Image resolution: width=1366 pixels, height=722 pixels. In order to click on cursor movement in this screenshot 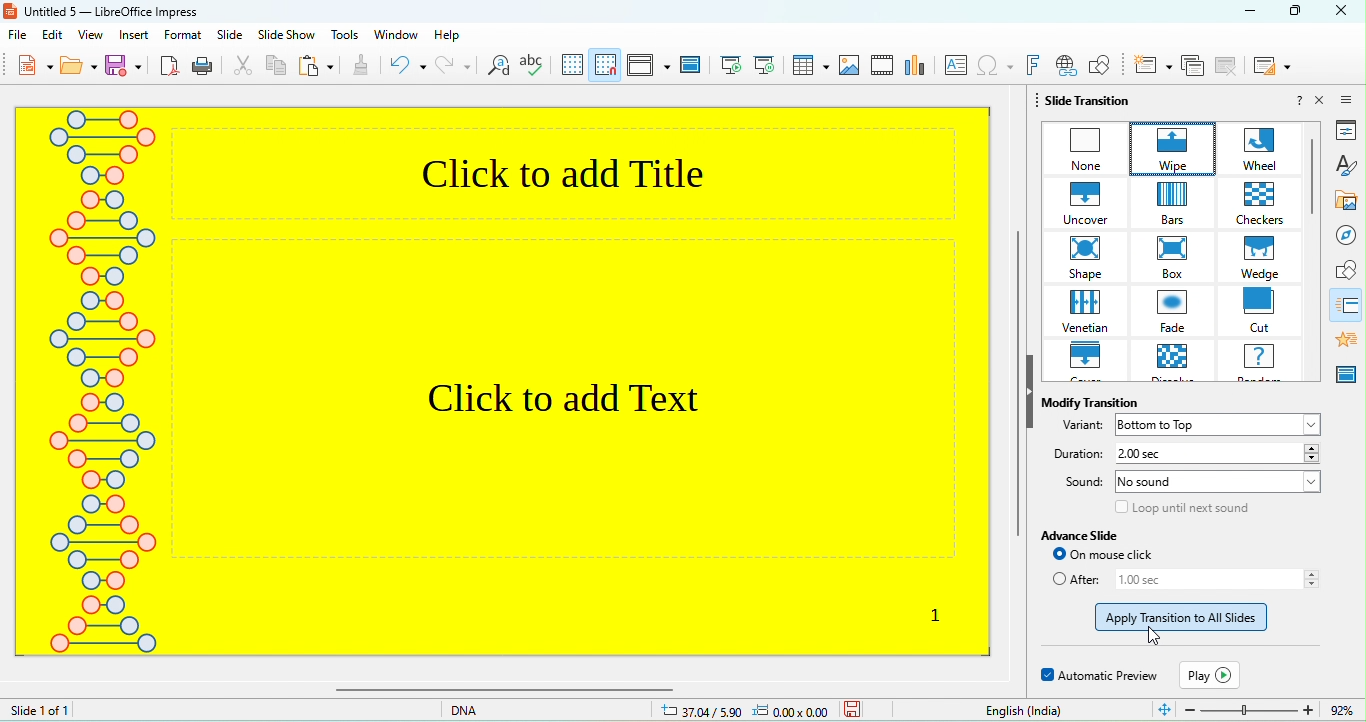, I will do `click(1160, 638)`.